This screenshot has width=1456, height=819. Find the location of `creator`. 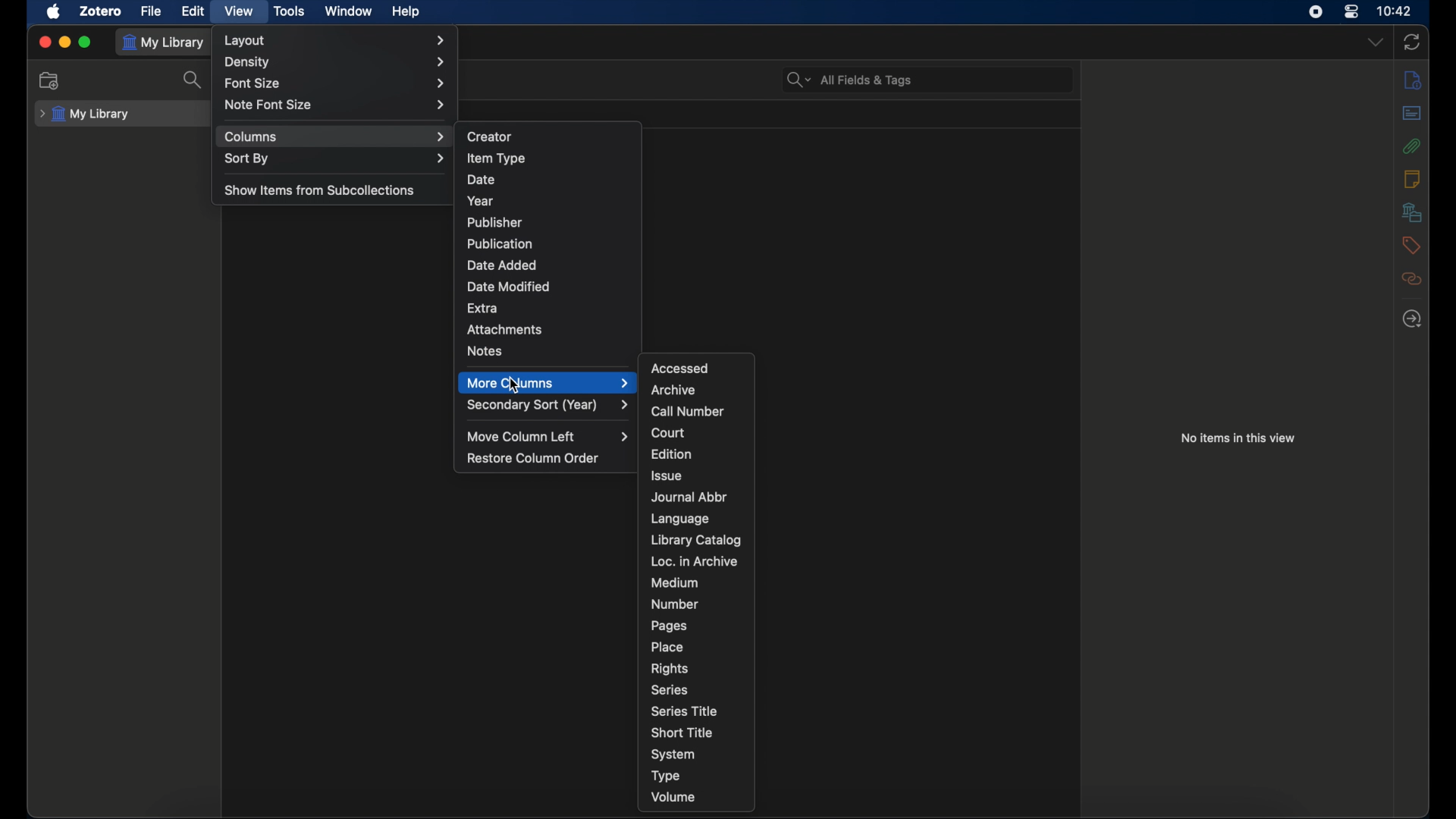

creator is located at coordinates (491, 136).